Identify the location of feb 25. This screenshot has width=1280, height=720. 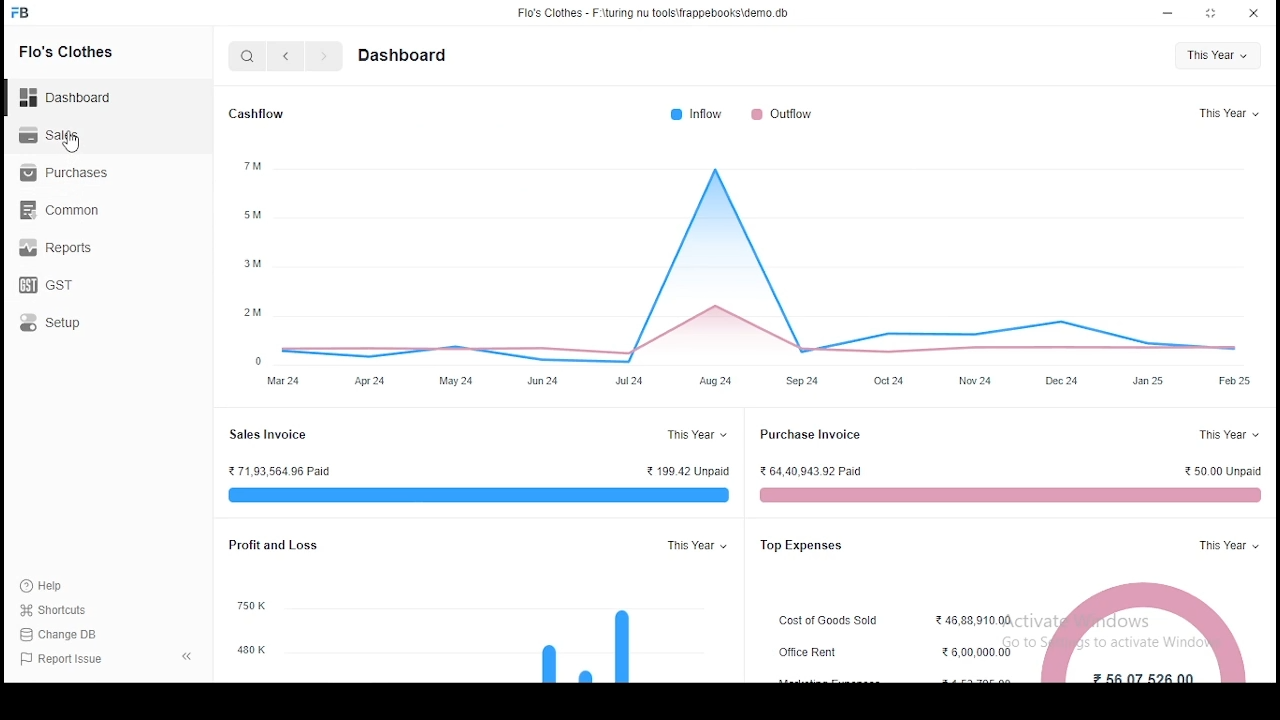
(1234, 381).